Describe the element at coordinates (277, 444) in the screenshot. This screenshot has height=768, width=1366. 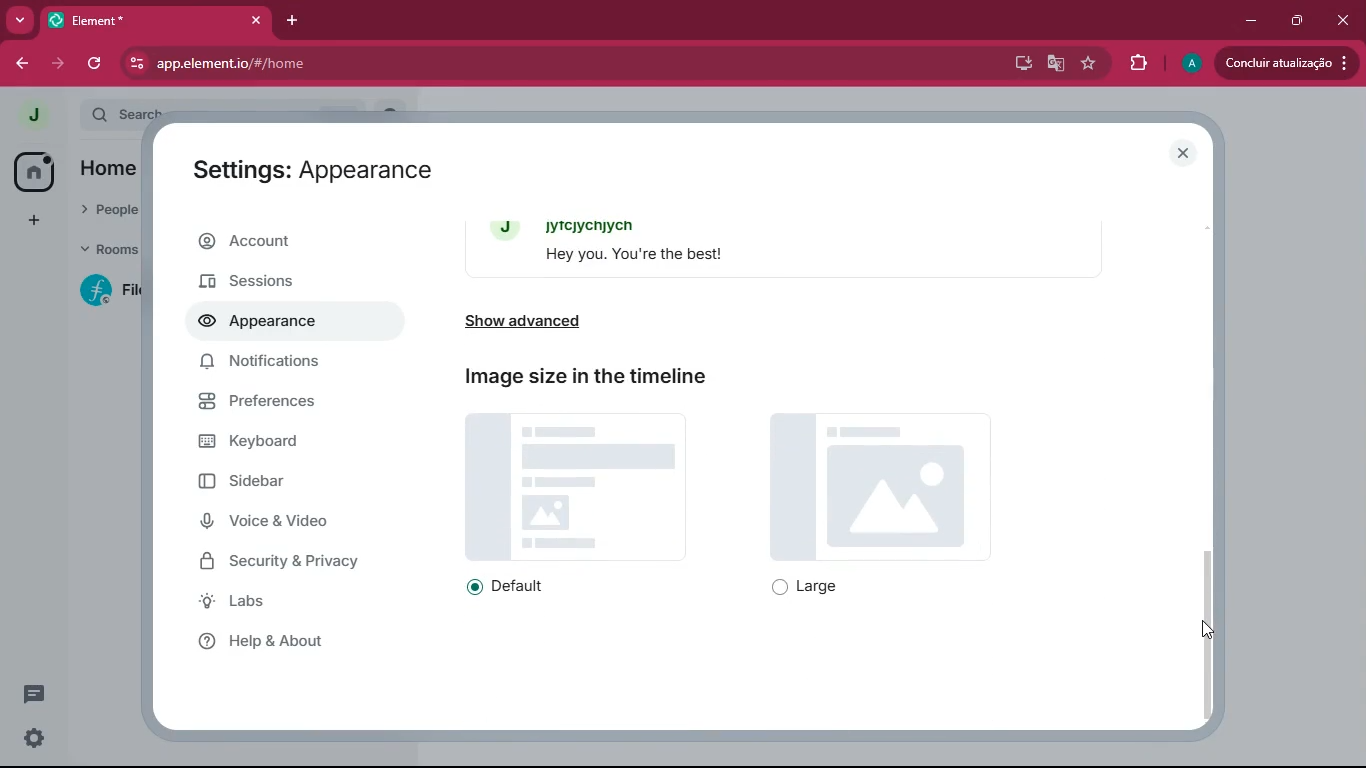
I see `keyboard` at that location.